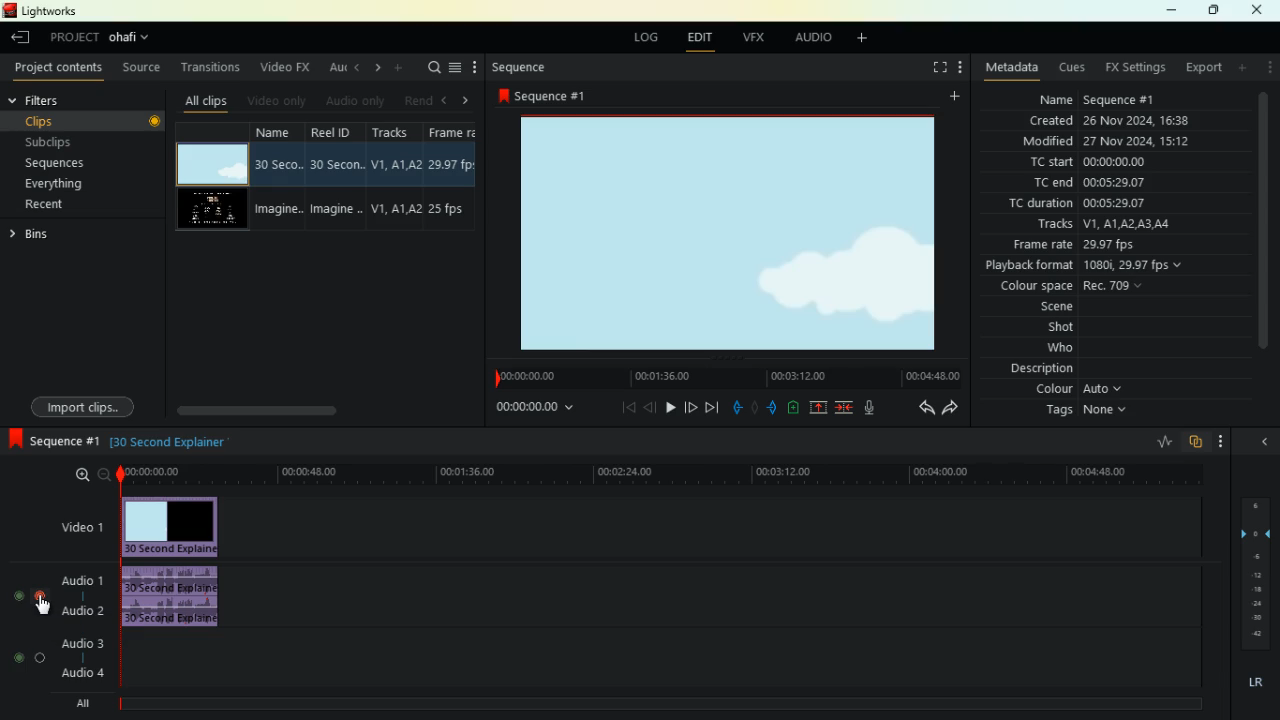 The image size is (1280, 720). What do you see at coordinates (1066, 67) in the screenshot?
I see `cues` at bounding box center [1066, 67].